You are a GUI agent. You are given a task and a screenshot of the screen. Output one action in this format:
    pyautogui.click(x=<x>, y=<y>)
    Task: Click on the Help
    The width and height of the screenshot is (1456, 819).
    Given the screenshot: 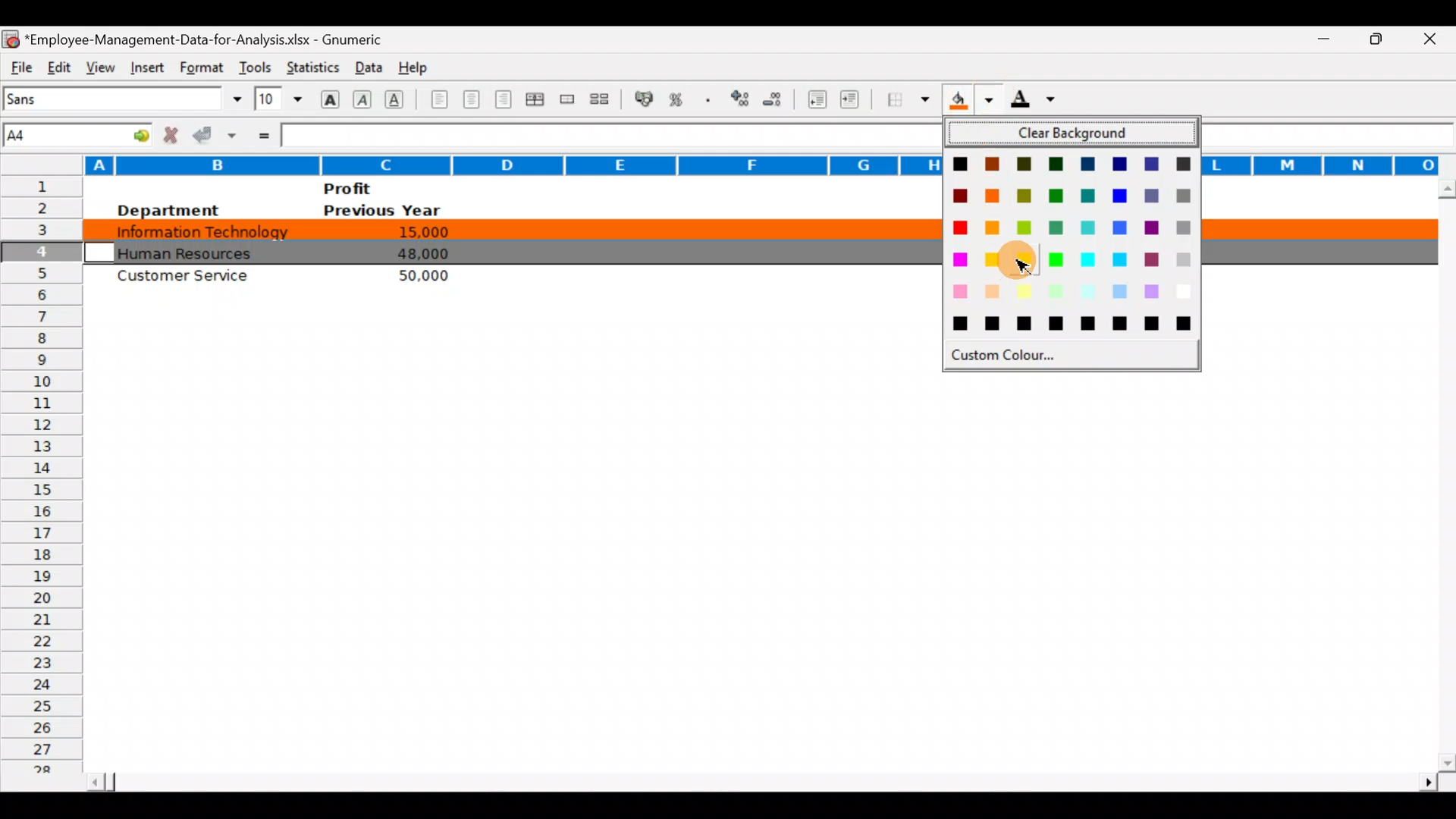 What is the action you would take?
    pyautogui.click(x=414, y=64)
    